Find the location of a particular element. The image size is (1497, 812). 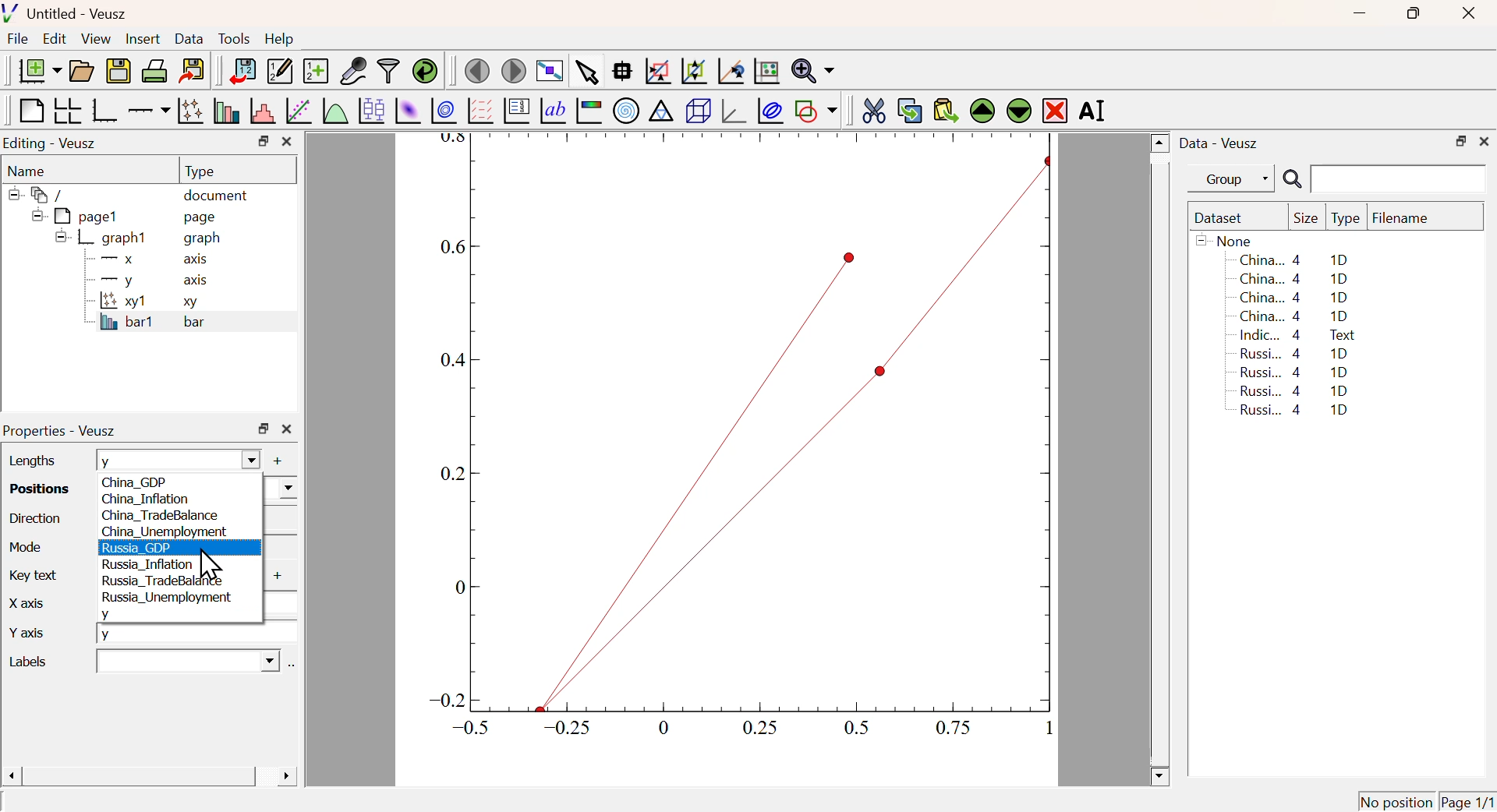

Search Input is located at coordinates (1400, 178).